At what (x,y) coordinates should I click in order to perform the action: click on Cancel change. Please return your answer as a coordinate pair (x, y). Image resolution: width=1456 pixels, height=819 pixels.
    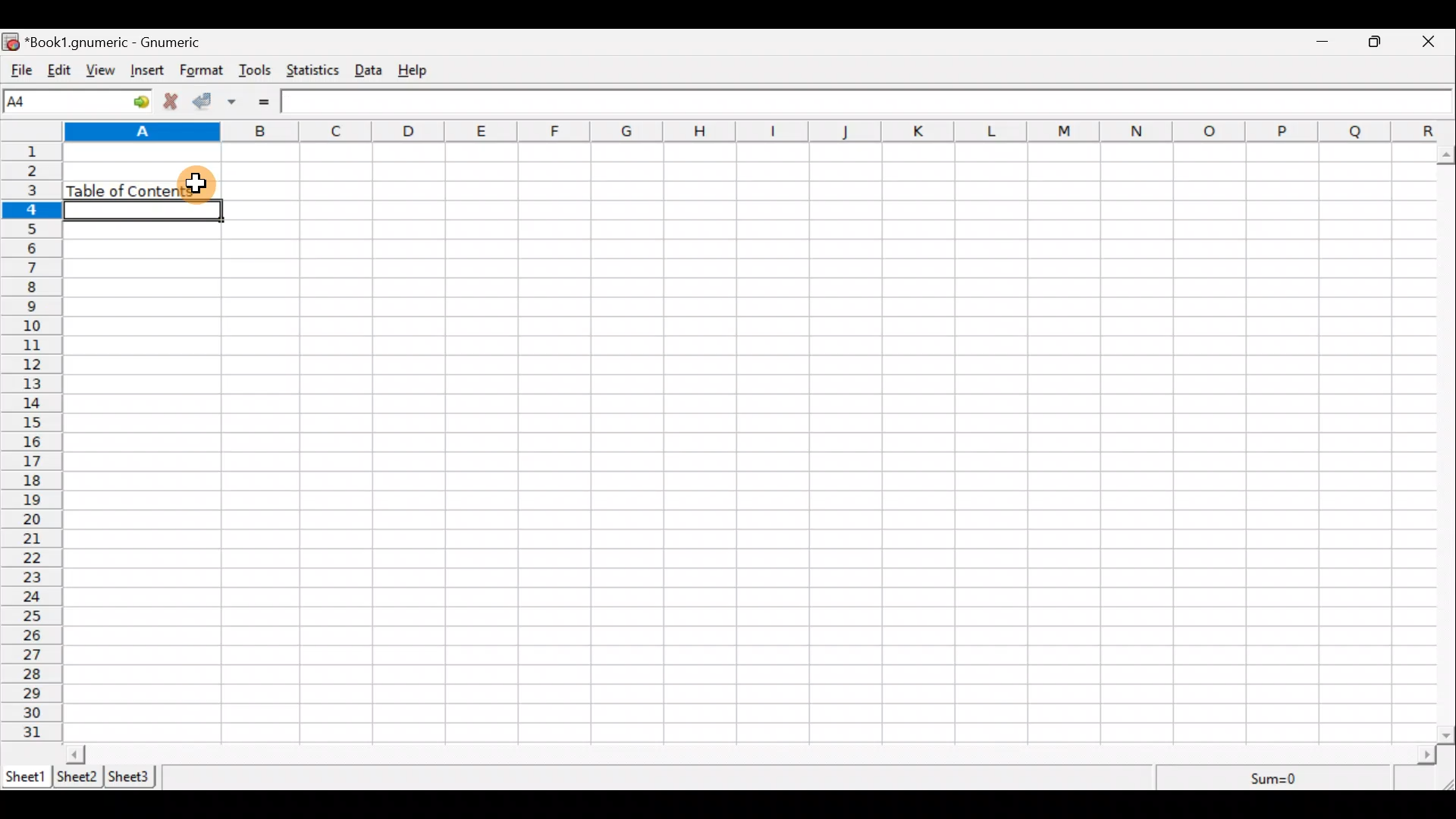
    Looking at the image, I should click on (174, 103).